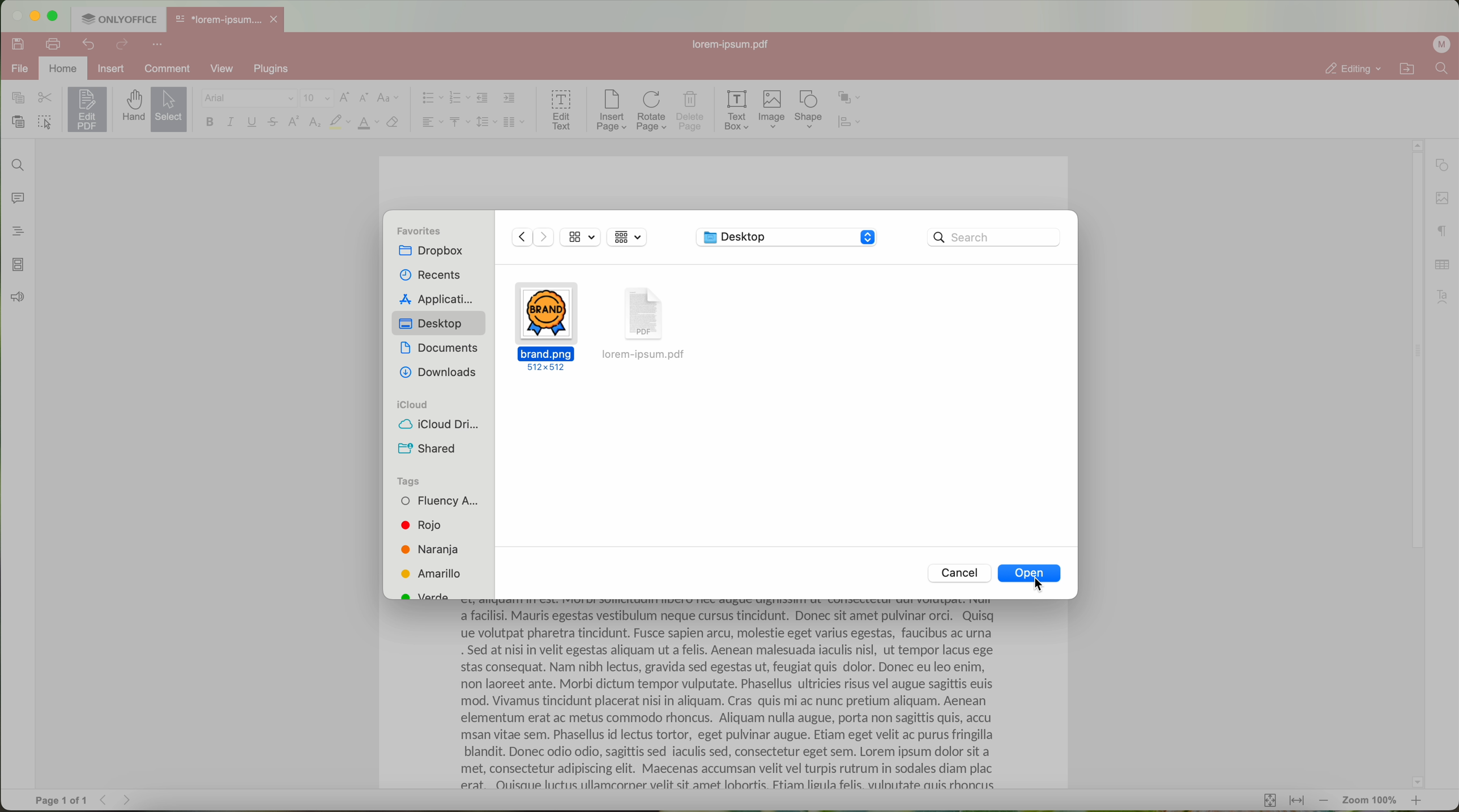  What do you see at coordinates (248, 99) in the screenshot?
I see `Arial` at bounding box center [248, 99].